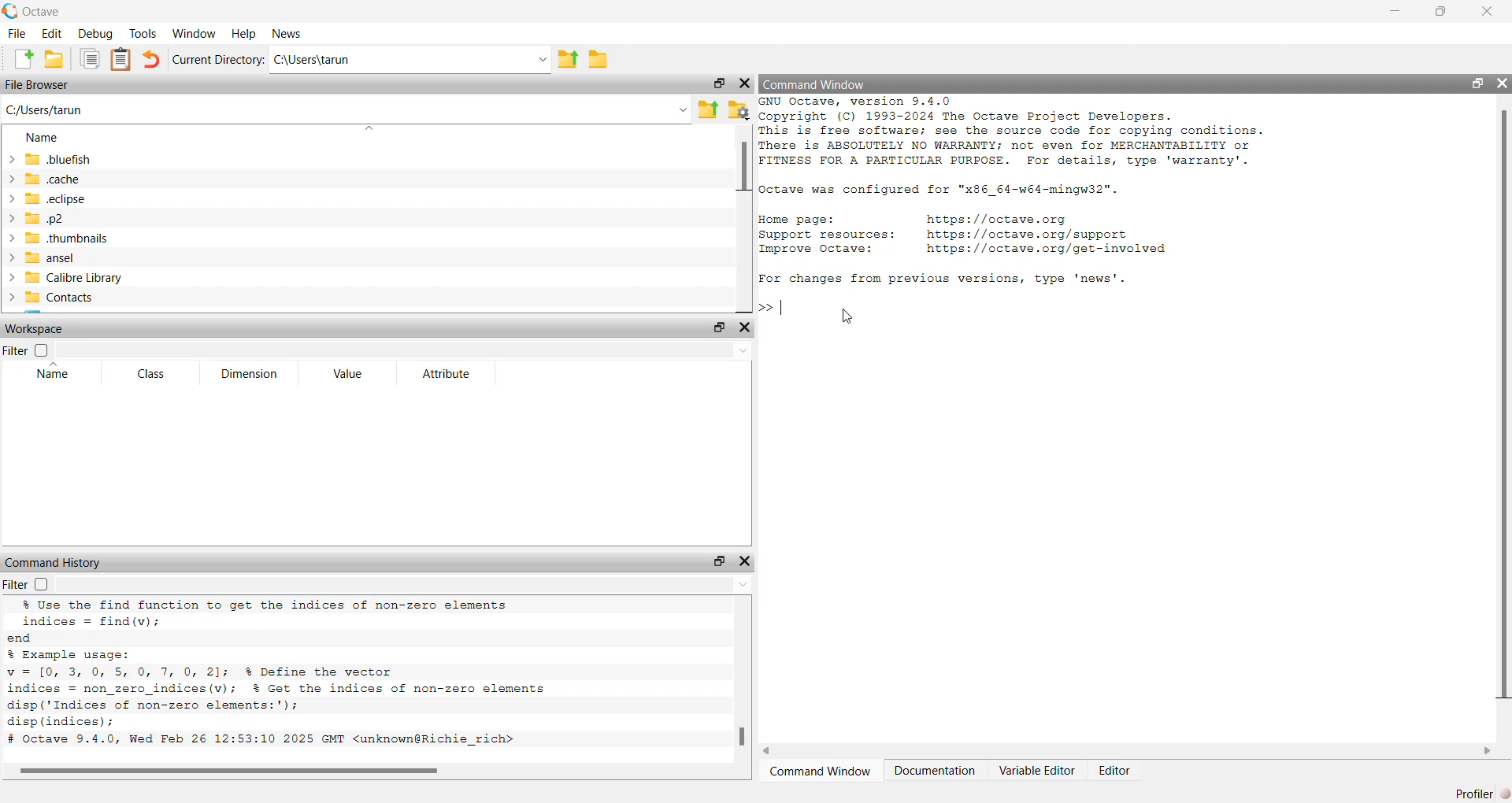 The height and width of the screenshot is (803, 1512). Describe the element at coordinates (599, 62) in the screenshot. I see `folder` at that location.